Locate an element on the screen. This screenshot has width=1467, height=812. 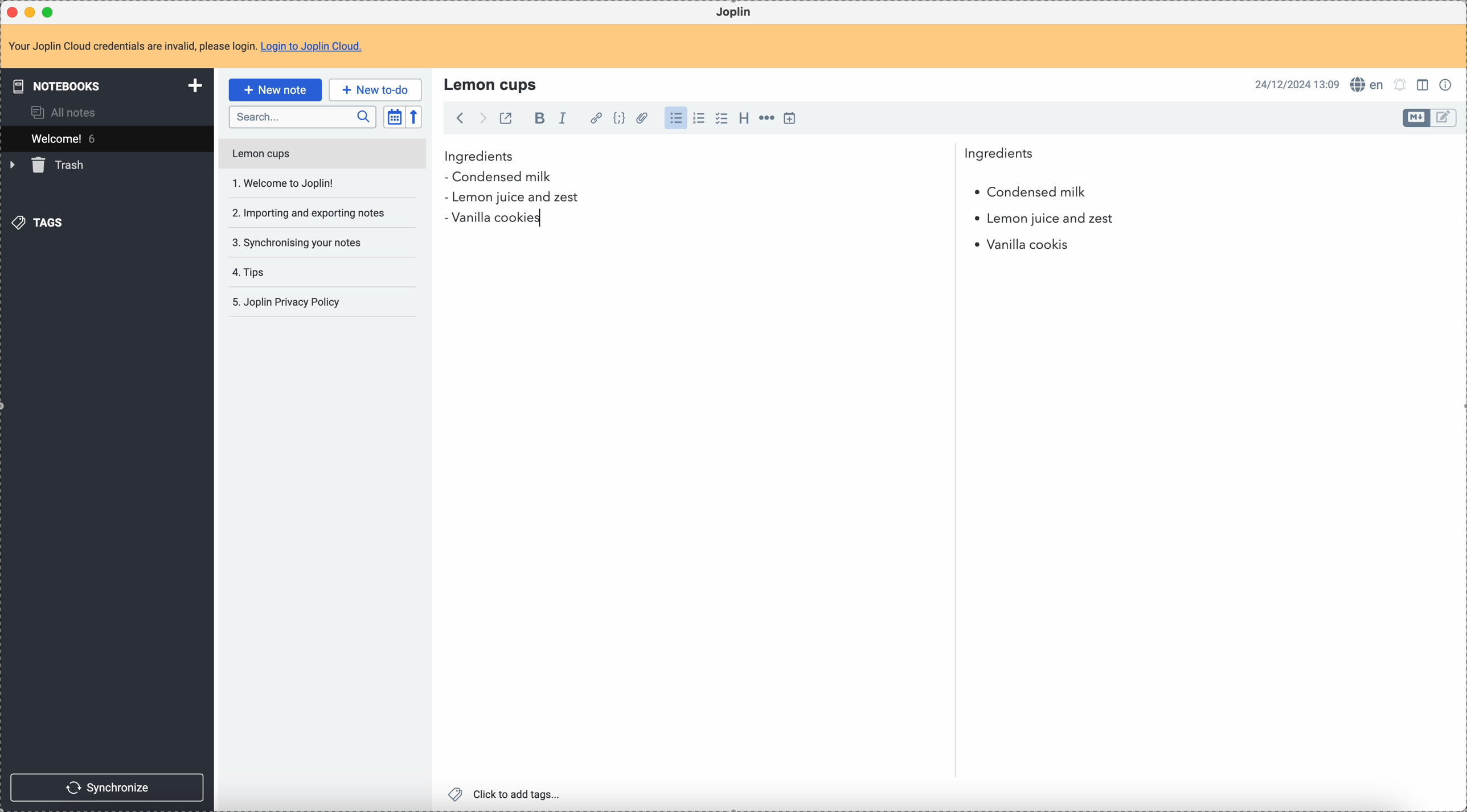
vanilla cookies is located at coordinates (493, 219).